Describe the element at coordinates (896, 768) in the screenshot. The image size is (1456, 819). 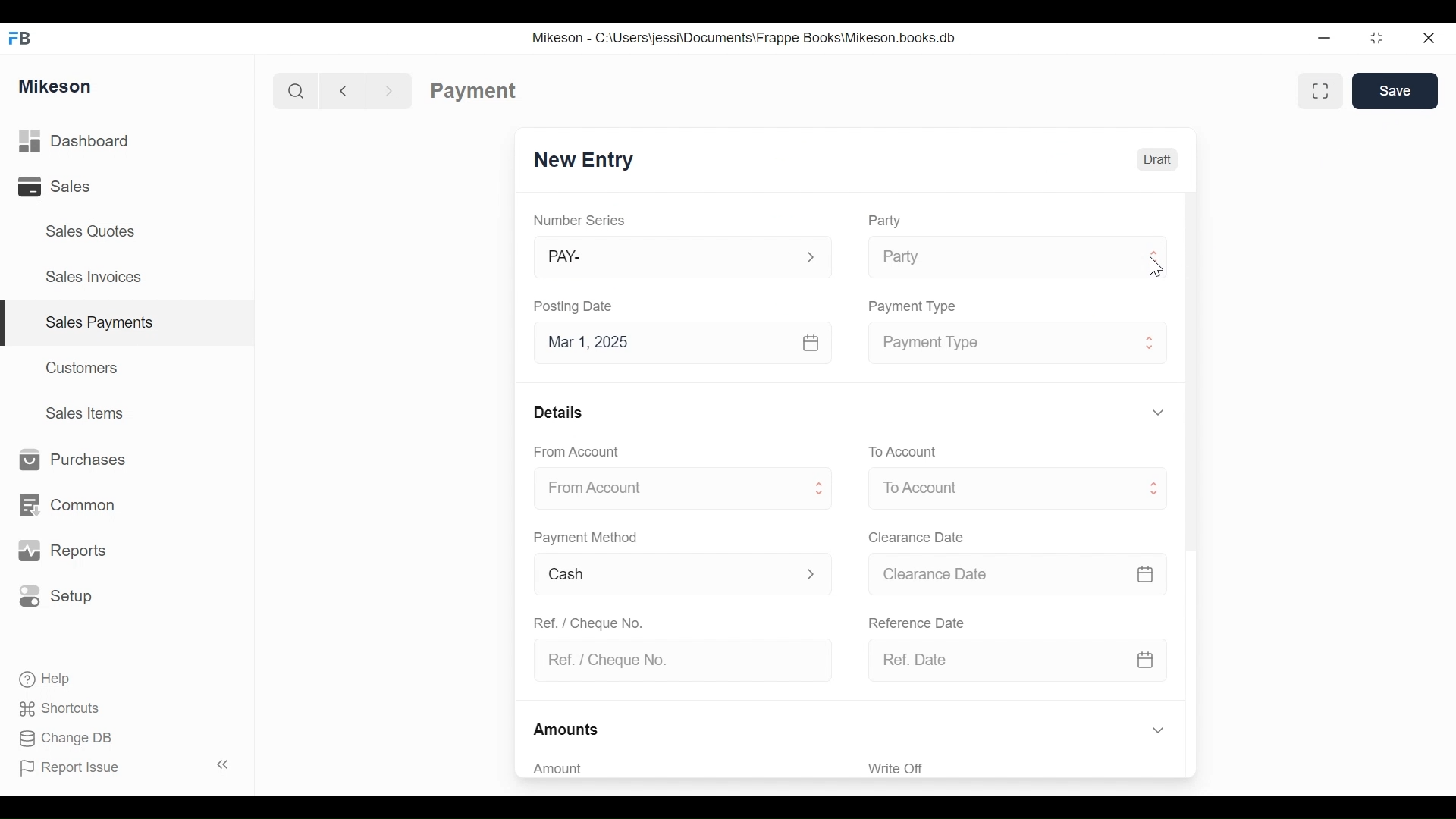
I see `Write Off` at that location.